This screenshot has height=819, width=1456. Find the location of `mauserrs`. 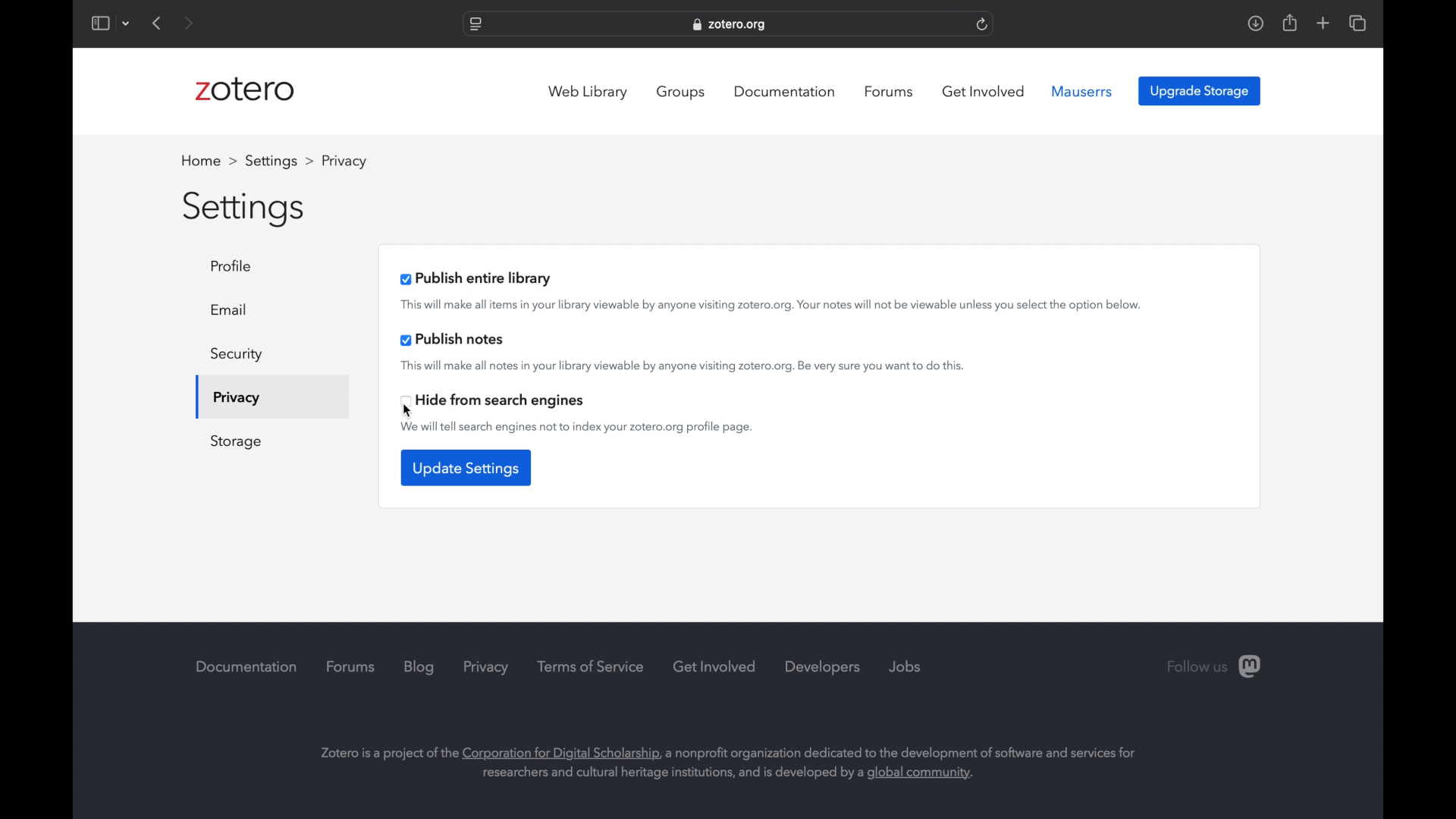

mauserrs is located at coordinates (1082, 92).